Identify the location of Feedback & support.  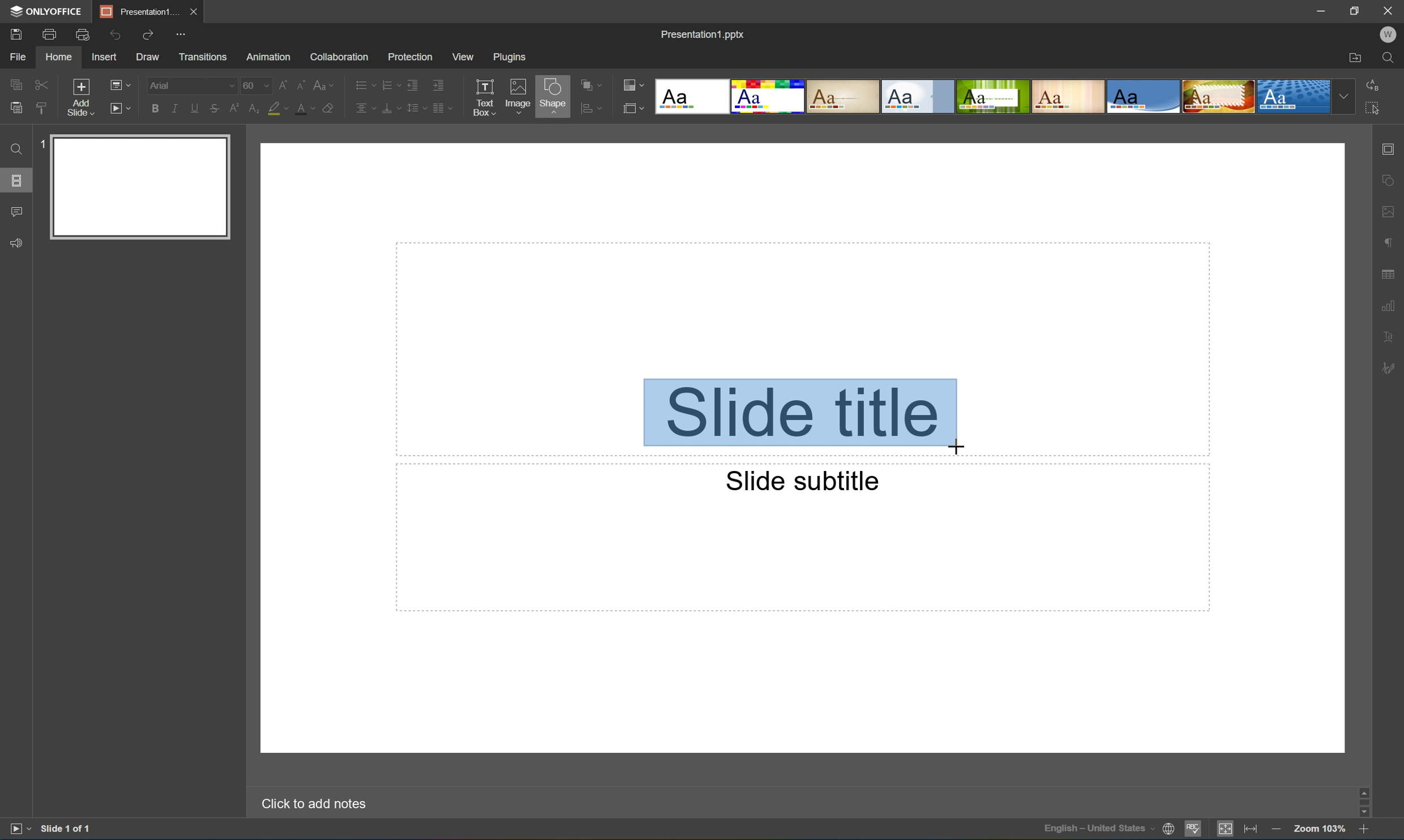
(19, 243).